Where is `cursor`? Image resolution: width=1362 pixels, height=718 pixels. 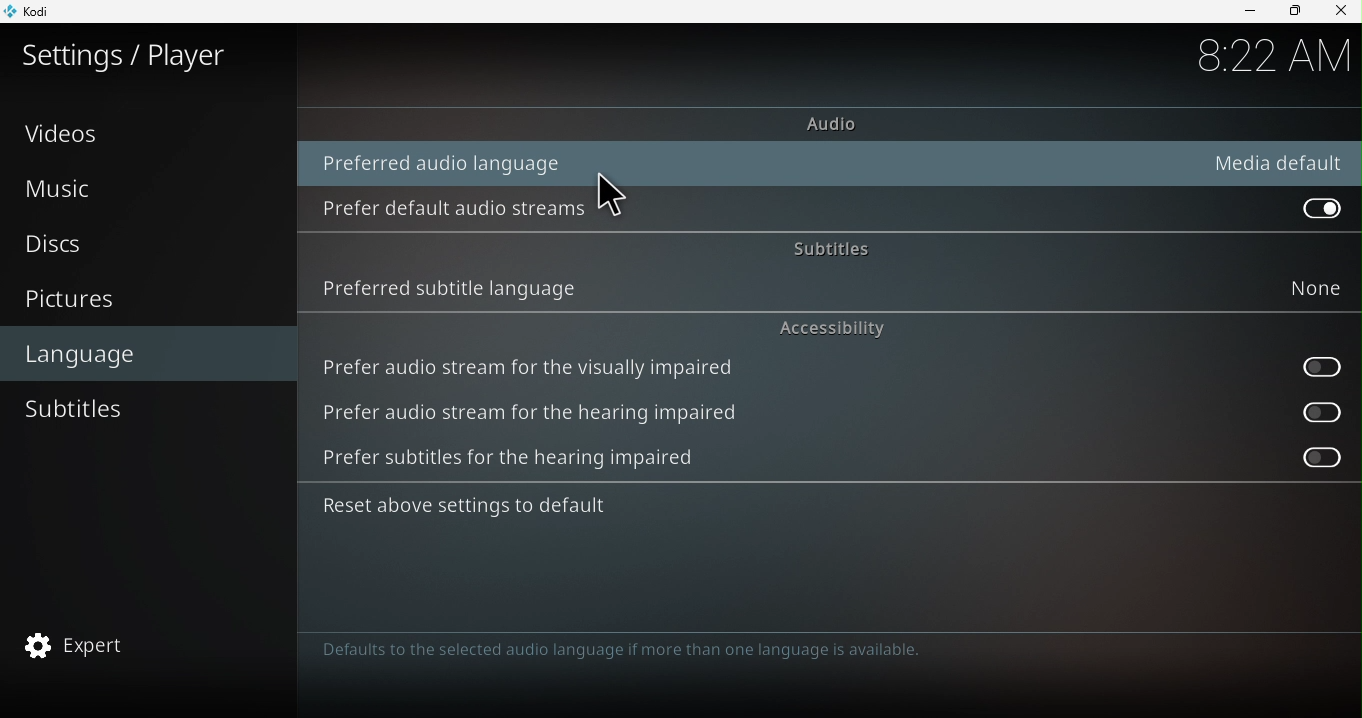 cursor is located at coordinates (617, 200).